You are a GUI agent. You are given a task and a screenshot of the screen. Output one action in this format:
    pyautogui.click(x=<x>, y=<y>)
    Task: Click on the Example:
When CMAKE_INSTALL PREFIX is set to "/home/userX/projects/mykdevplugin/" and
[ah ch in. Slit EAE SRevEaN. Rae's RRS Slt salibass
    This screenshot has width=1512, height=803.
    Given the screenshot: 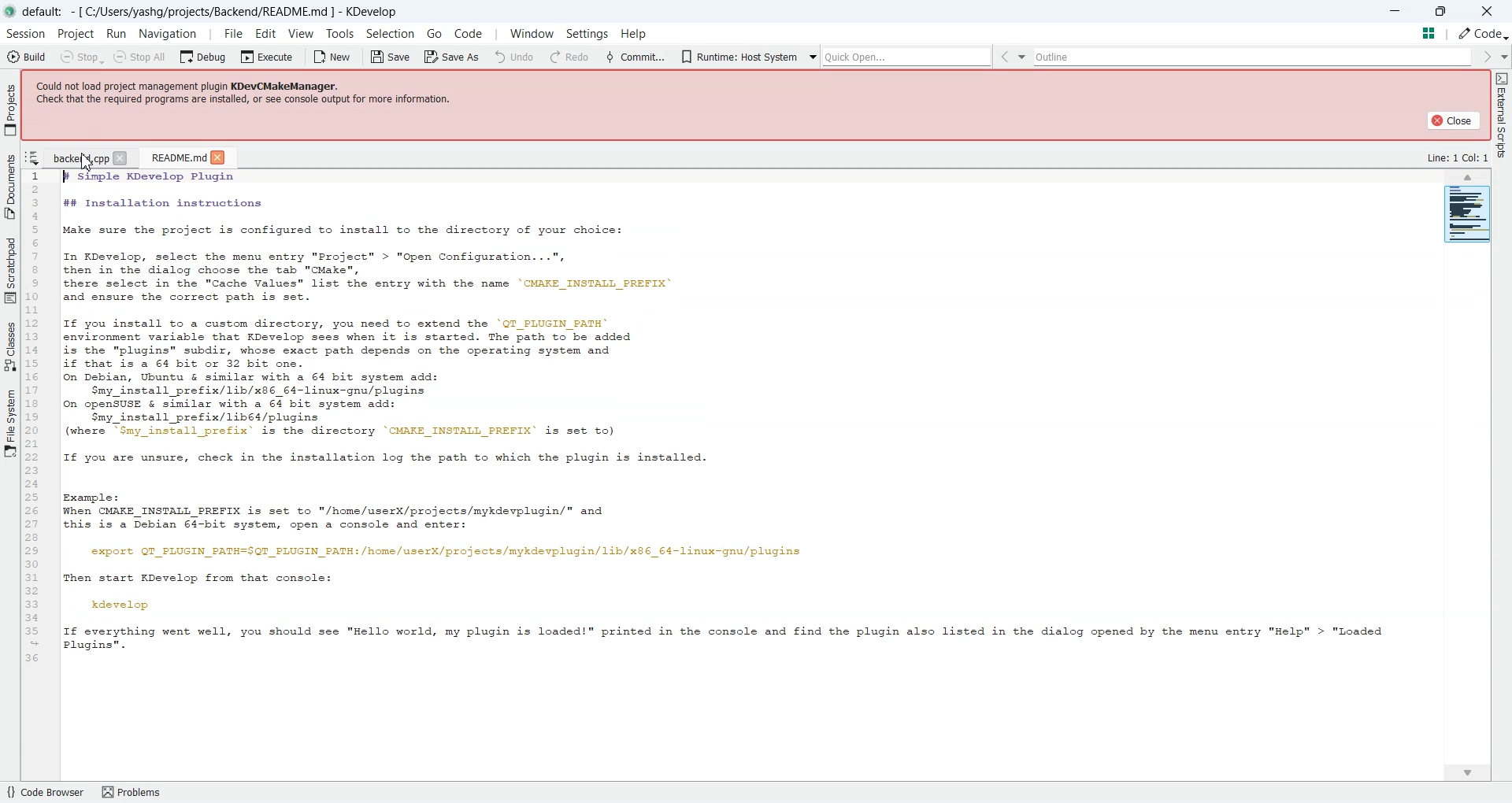 What is the action you would take?
    pyautogui.click(x=339, y=510)
    